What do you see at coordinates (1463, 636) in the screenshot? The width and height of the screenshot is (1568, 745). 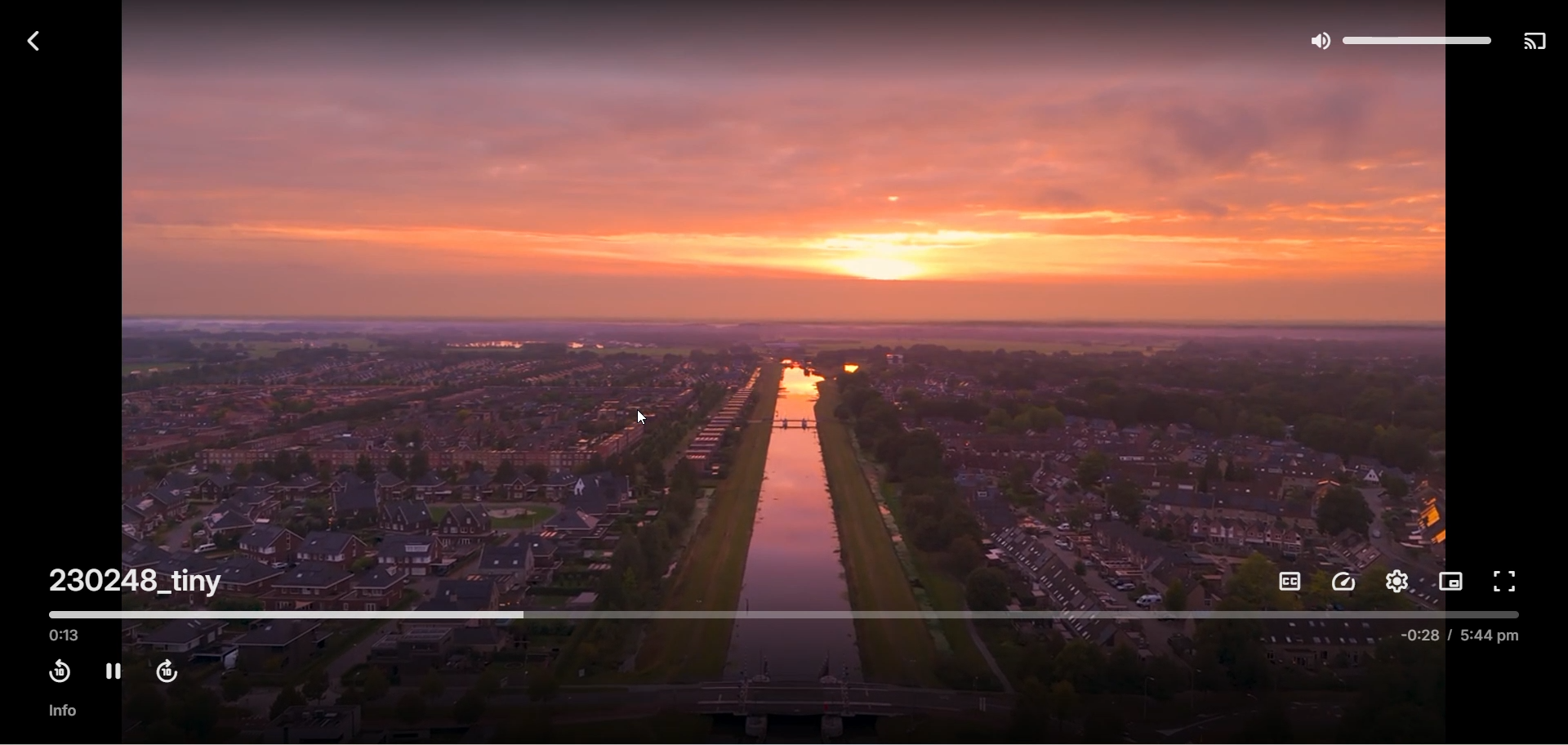 I see `-0:33 / 5:43 pm` at bounding box center [1463, 636].